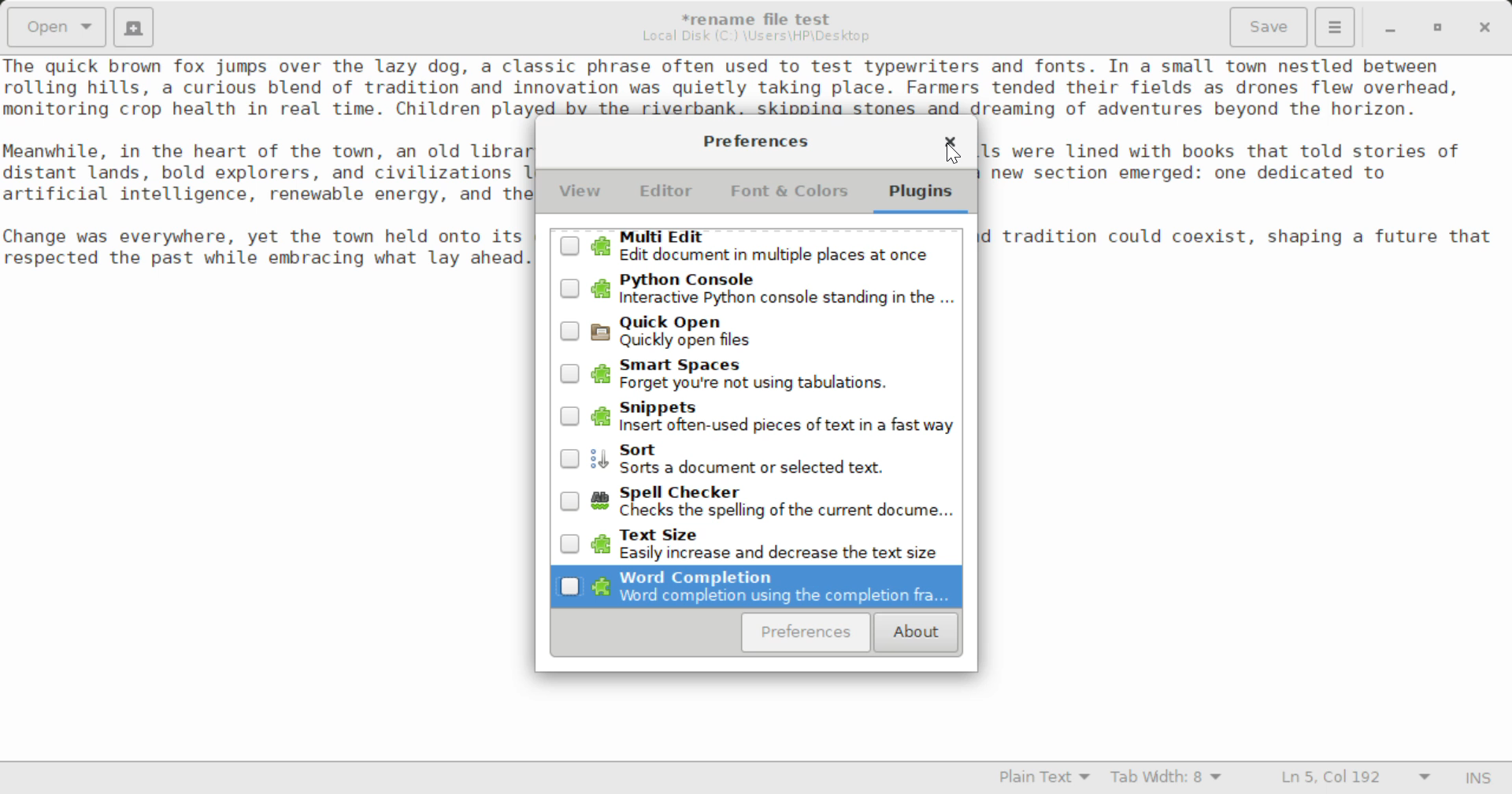 The image size is (1512, 794). I want to click on Save, so click(1270, 28).